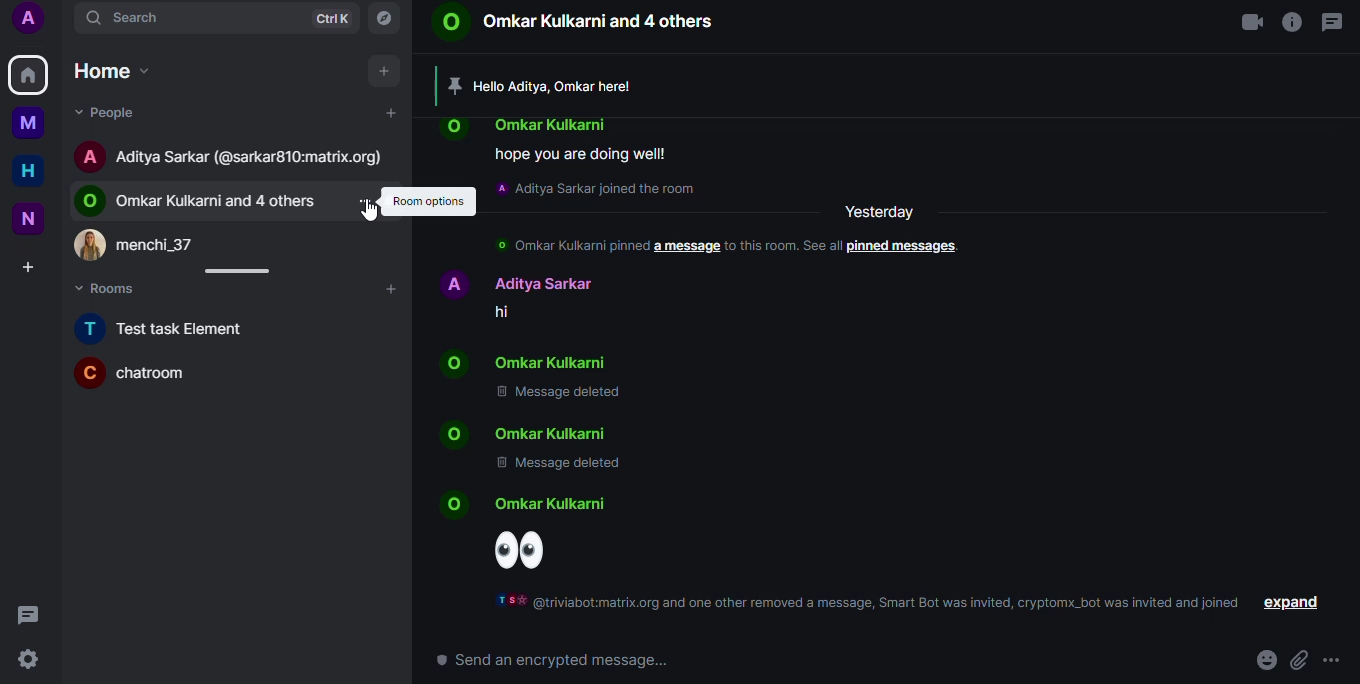 This screenshot has width=1360, height=684. Describe the element at coordinates (598, 189) in the screenshot. I see `info` at that location.